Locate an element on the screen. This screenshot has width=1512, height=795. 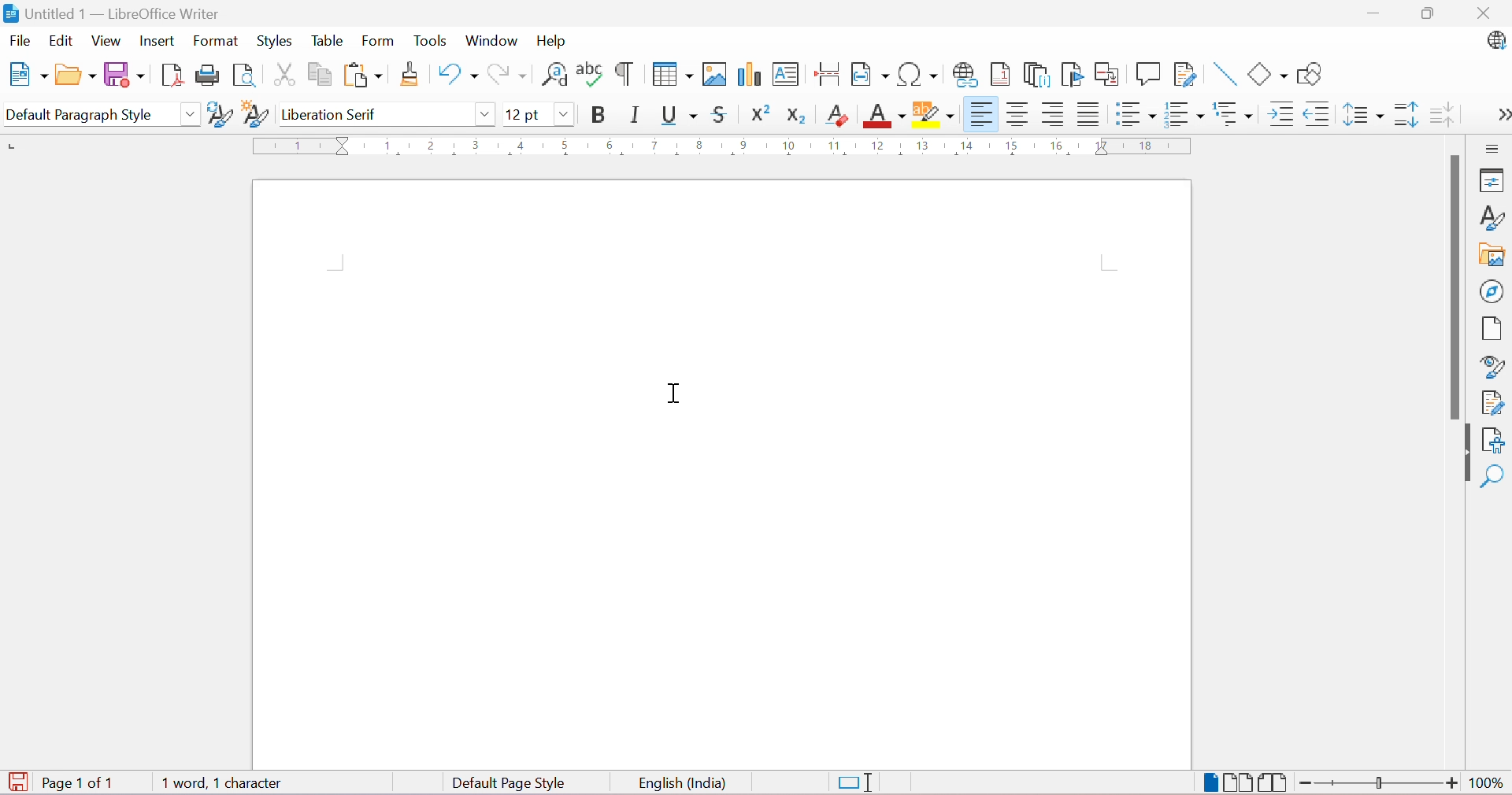
Cut is located at coordinates (281, 73).